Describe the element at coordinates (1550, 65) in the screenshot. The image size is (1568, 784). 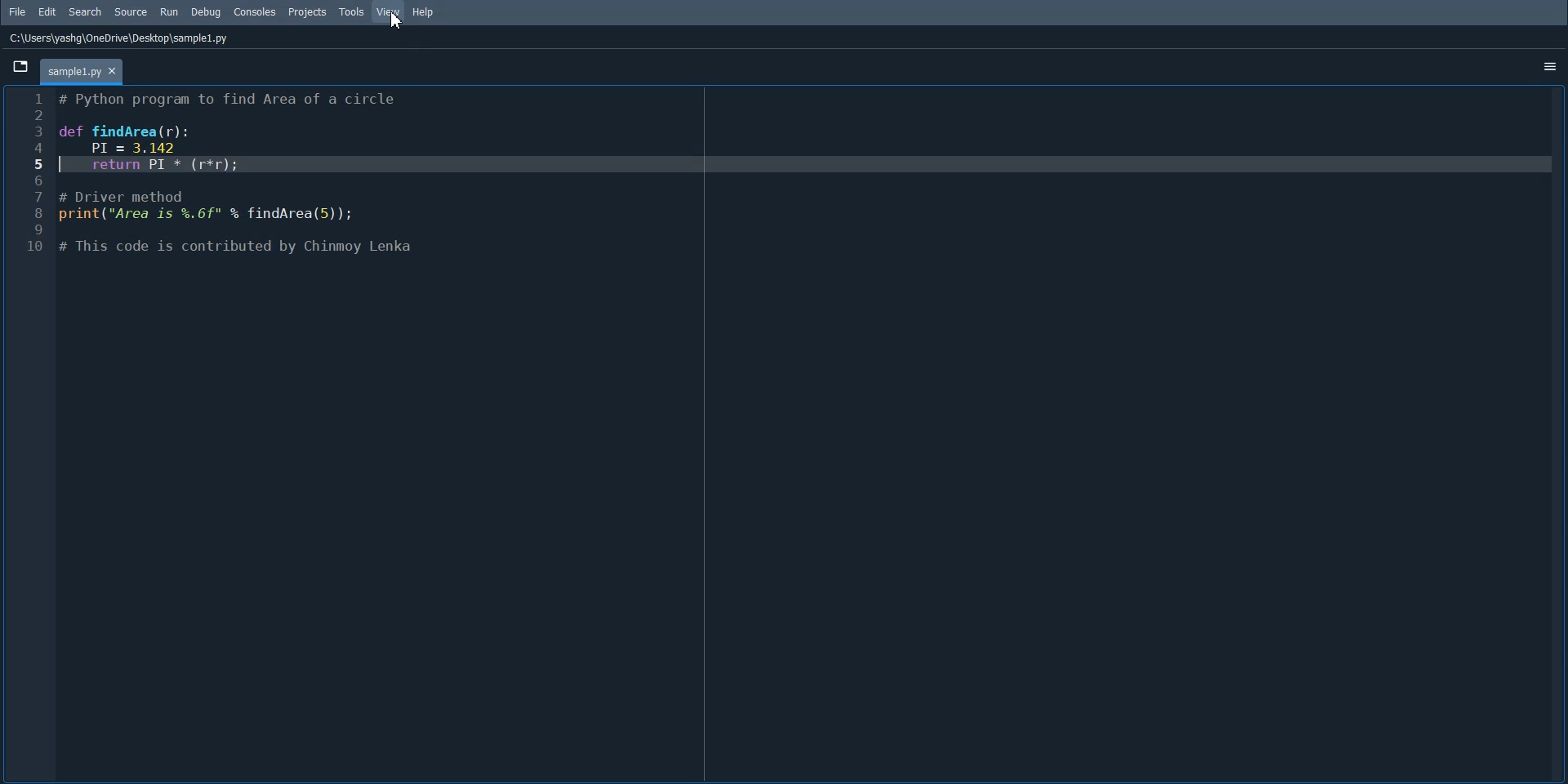
I see `Option` at that location.